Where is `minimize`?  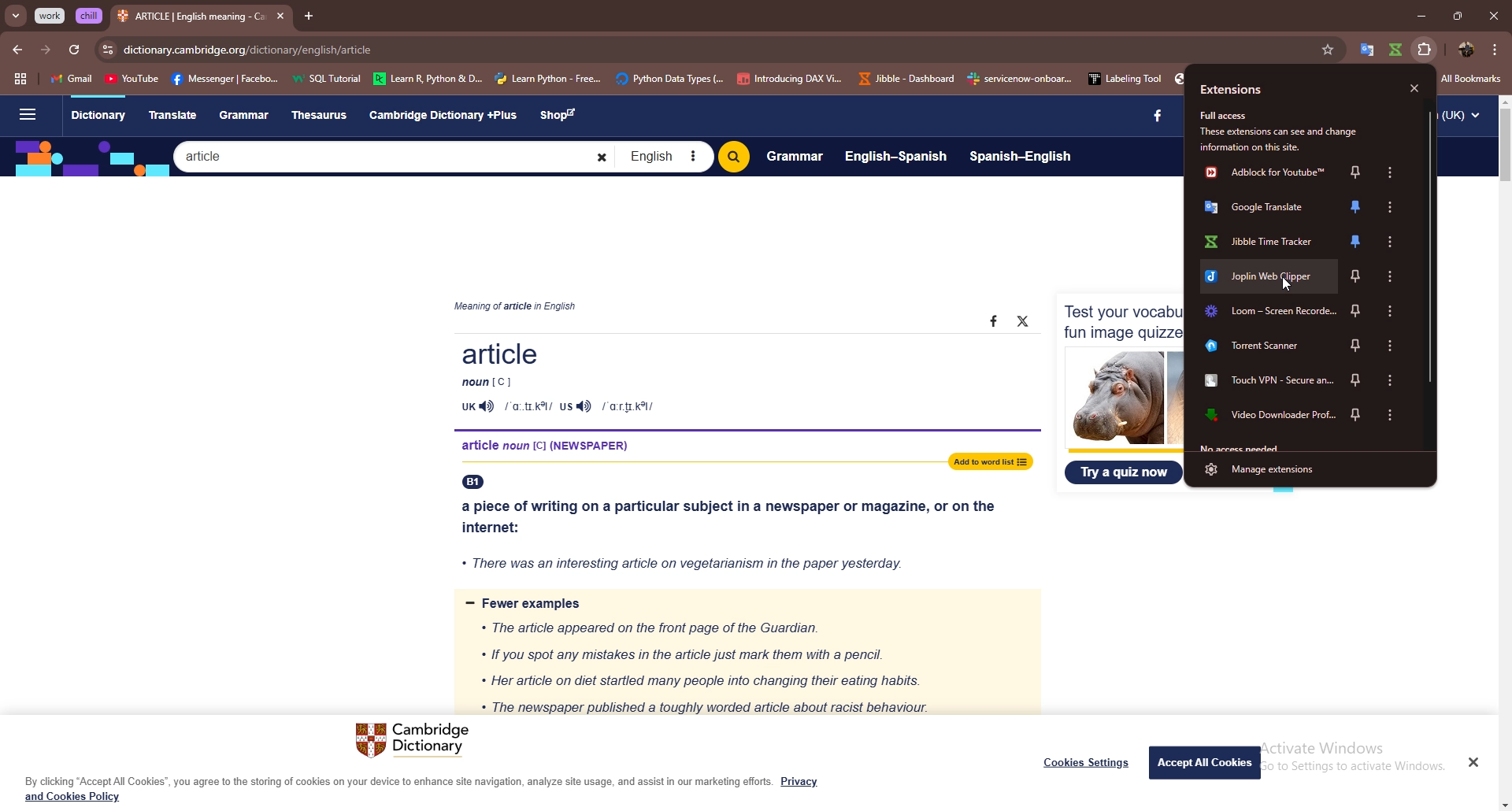 minimize is located at coordinates (1421, 15).